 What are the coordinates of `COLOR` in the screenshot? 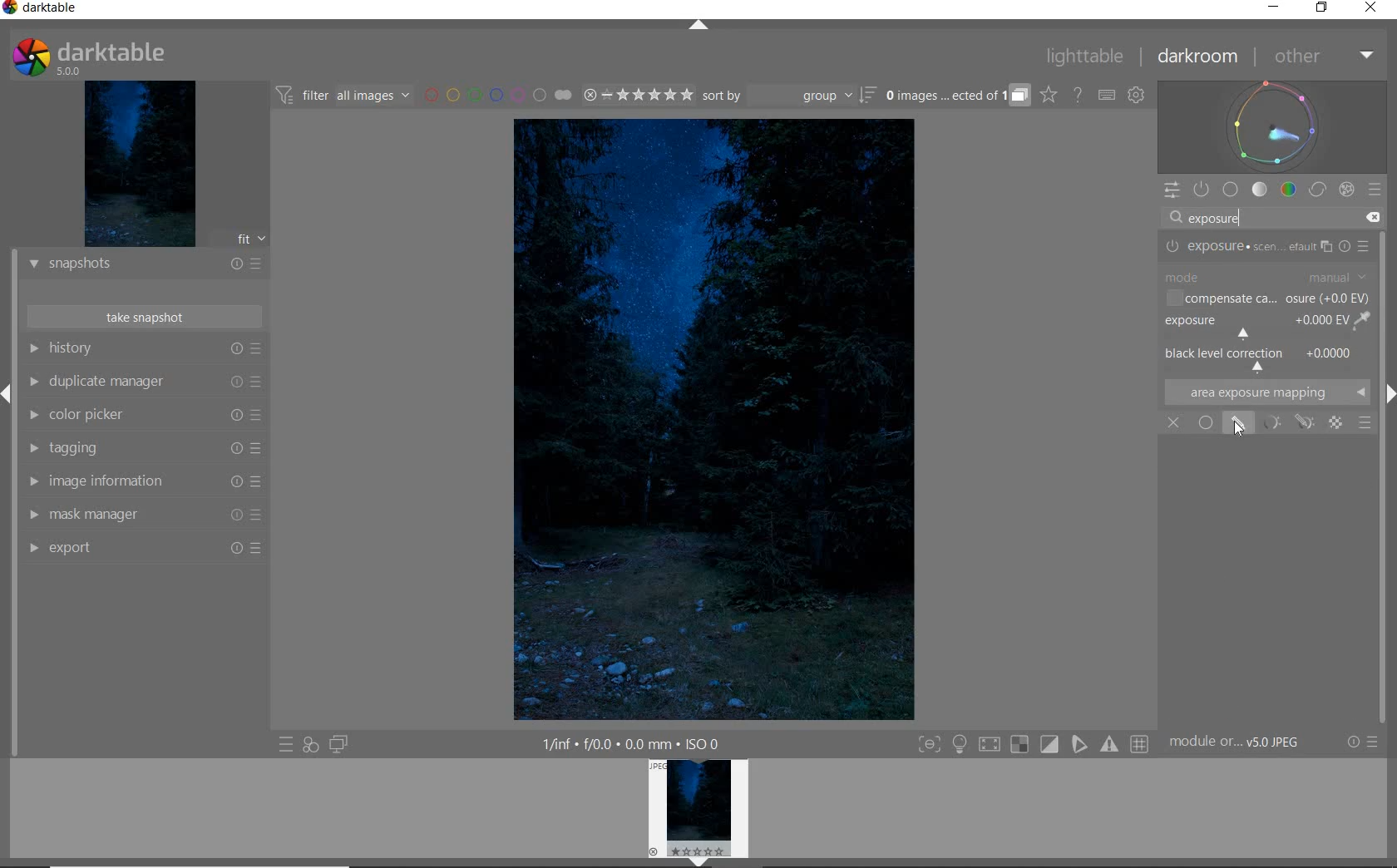 It's located at (1291, 190).